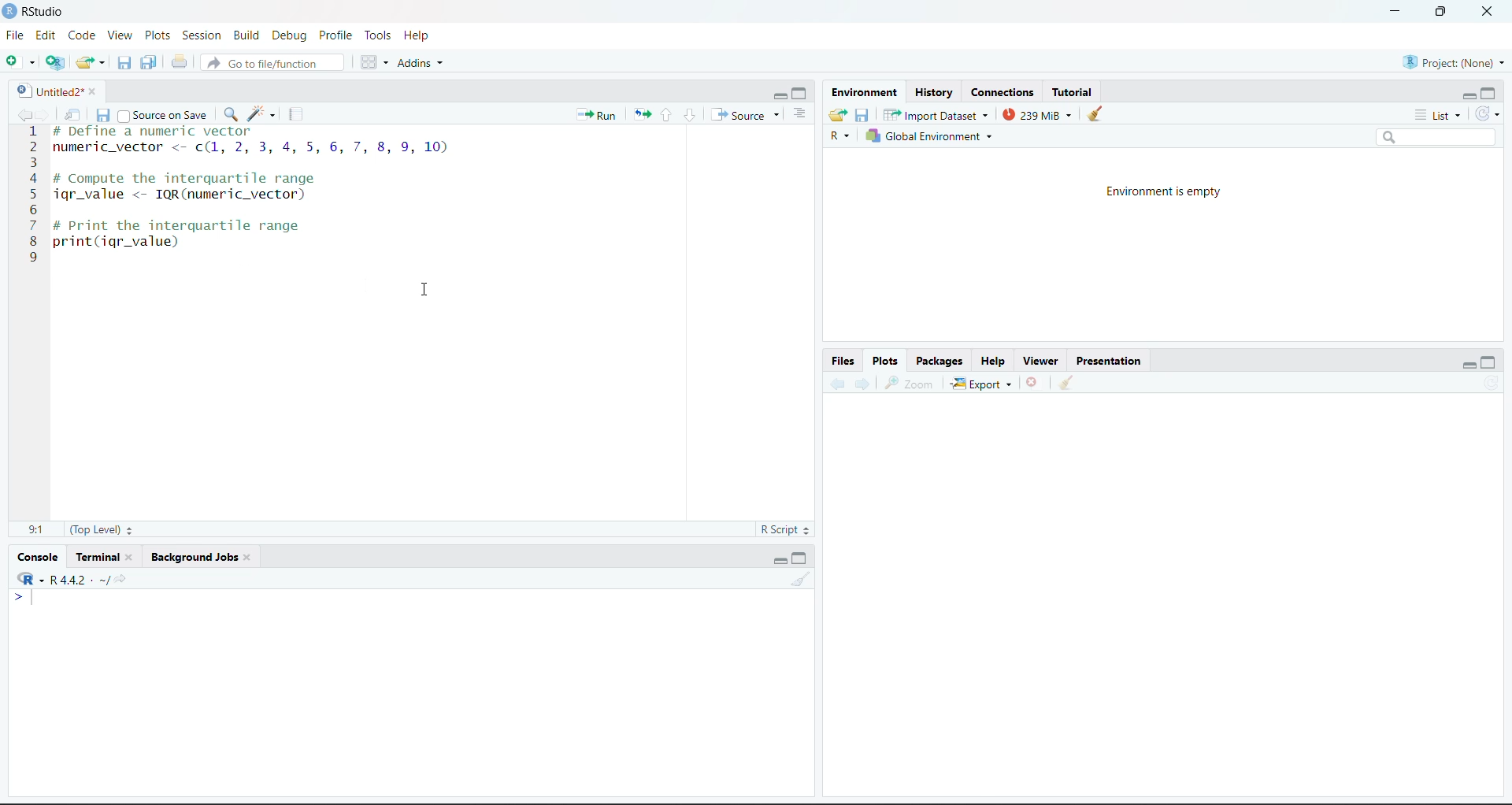 This screenshot has height=805, width=1512. I want to click on Code, so click(85, 34).